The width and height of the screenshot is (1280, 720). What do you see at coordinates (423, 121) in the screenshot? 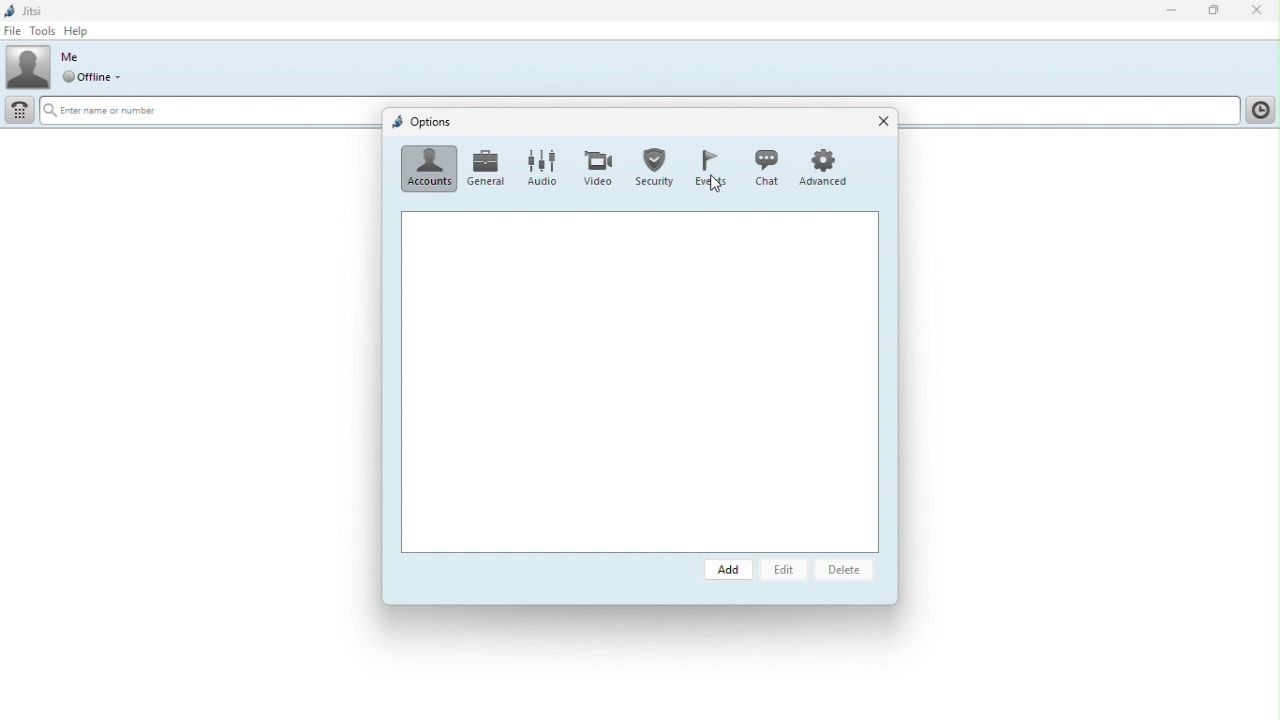
I see `Options` at bounding box center [423, 121].